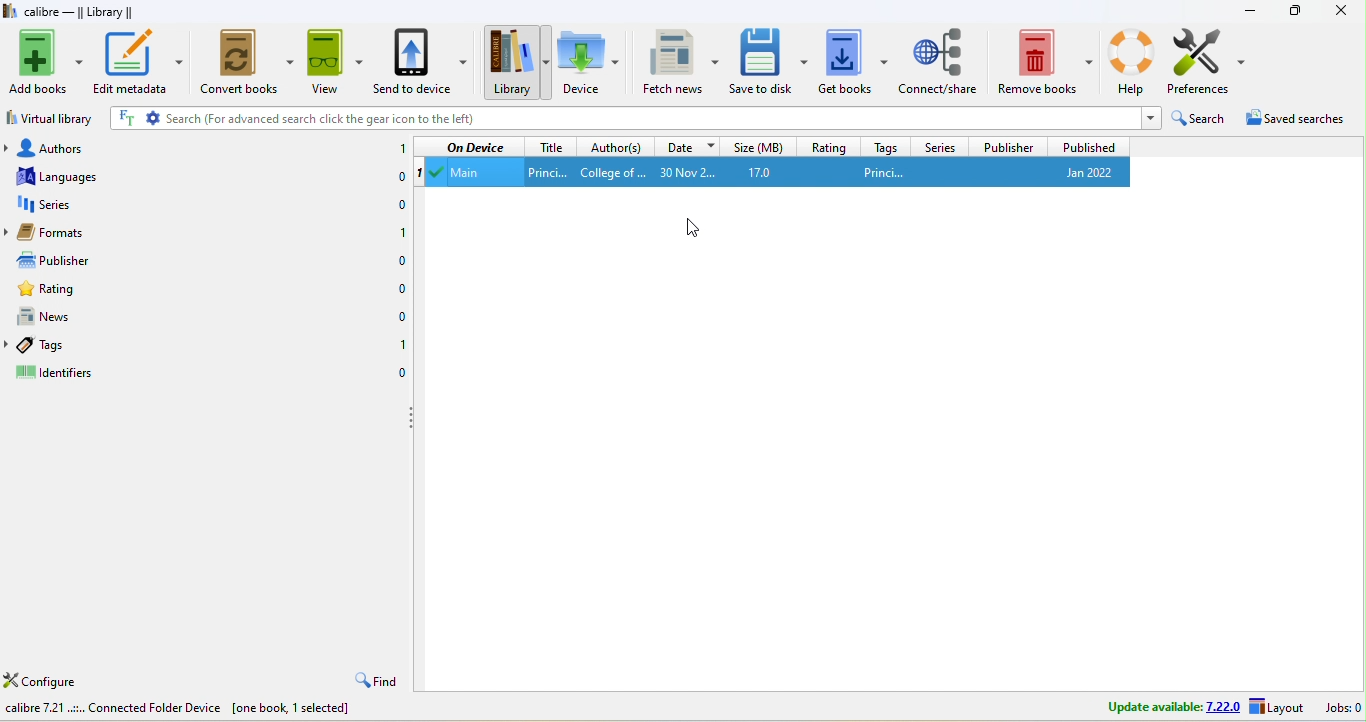 This screenshot has width=1366, height=722. What do you see at coordinates (616, 146) in the screenshot?
I see `author(s)` at bounding box center [616, 146].